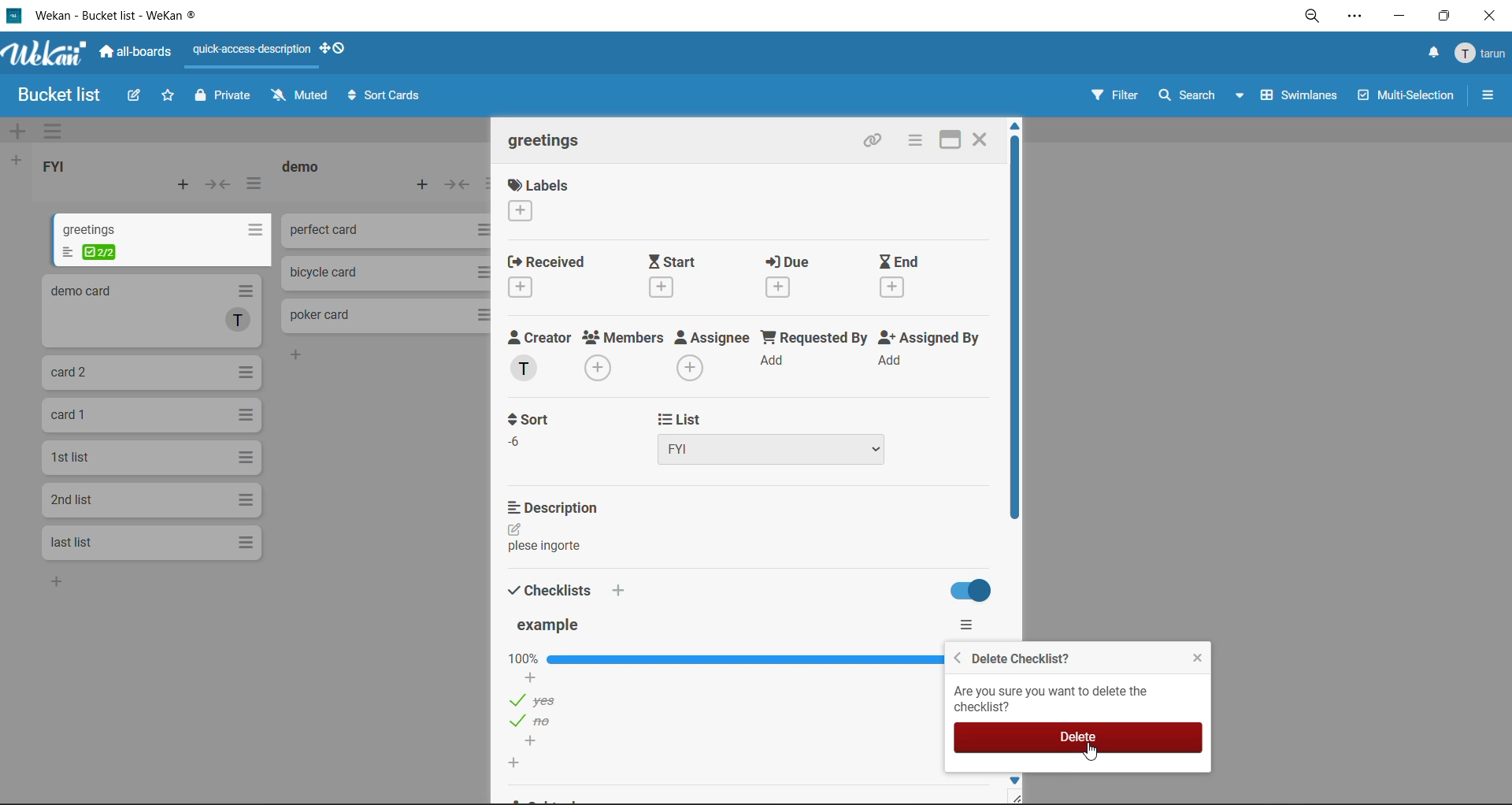  I want to click on sort, so click(526, 428).